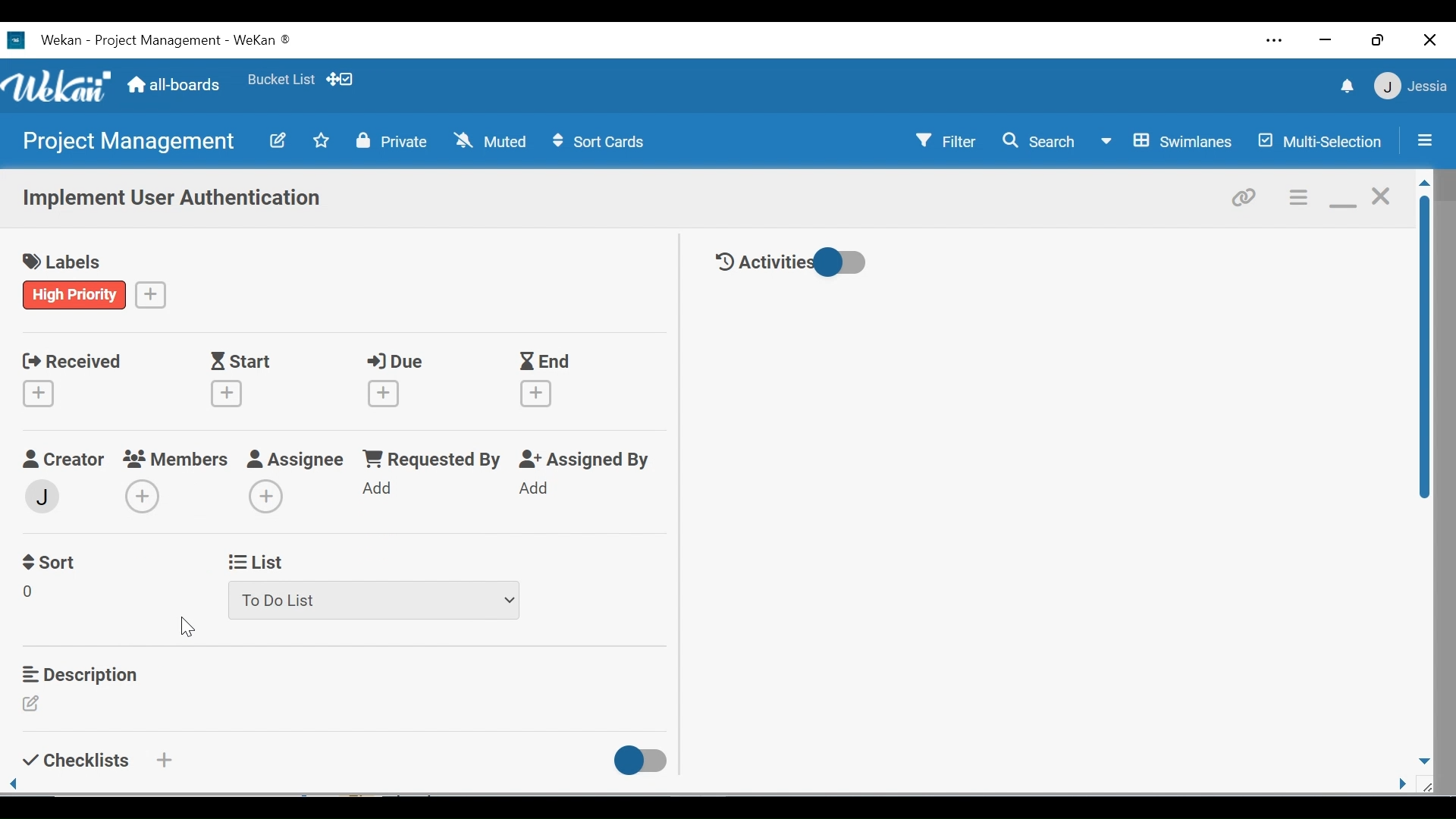  What do you see at coordinates (15, 40) in the screenshot?
I see `wekan logo` at bounding box center [15, 40].